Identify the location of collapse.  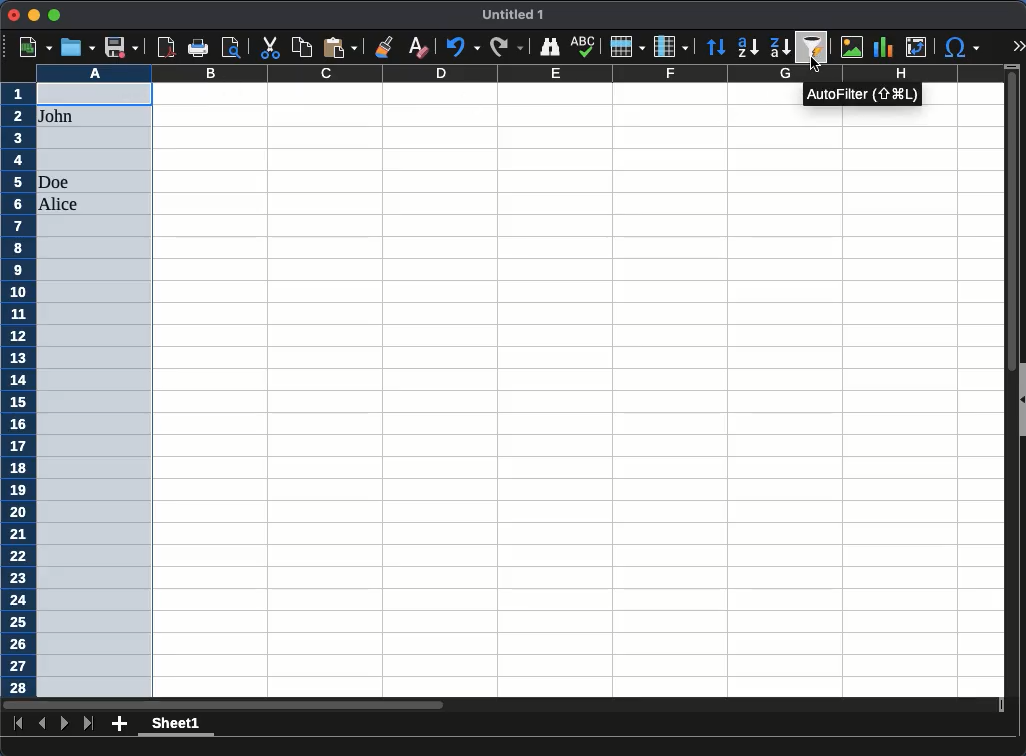
(1020, 400).